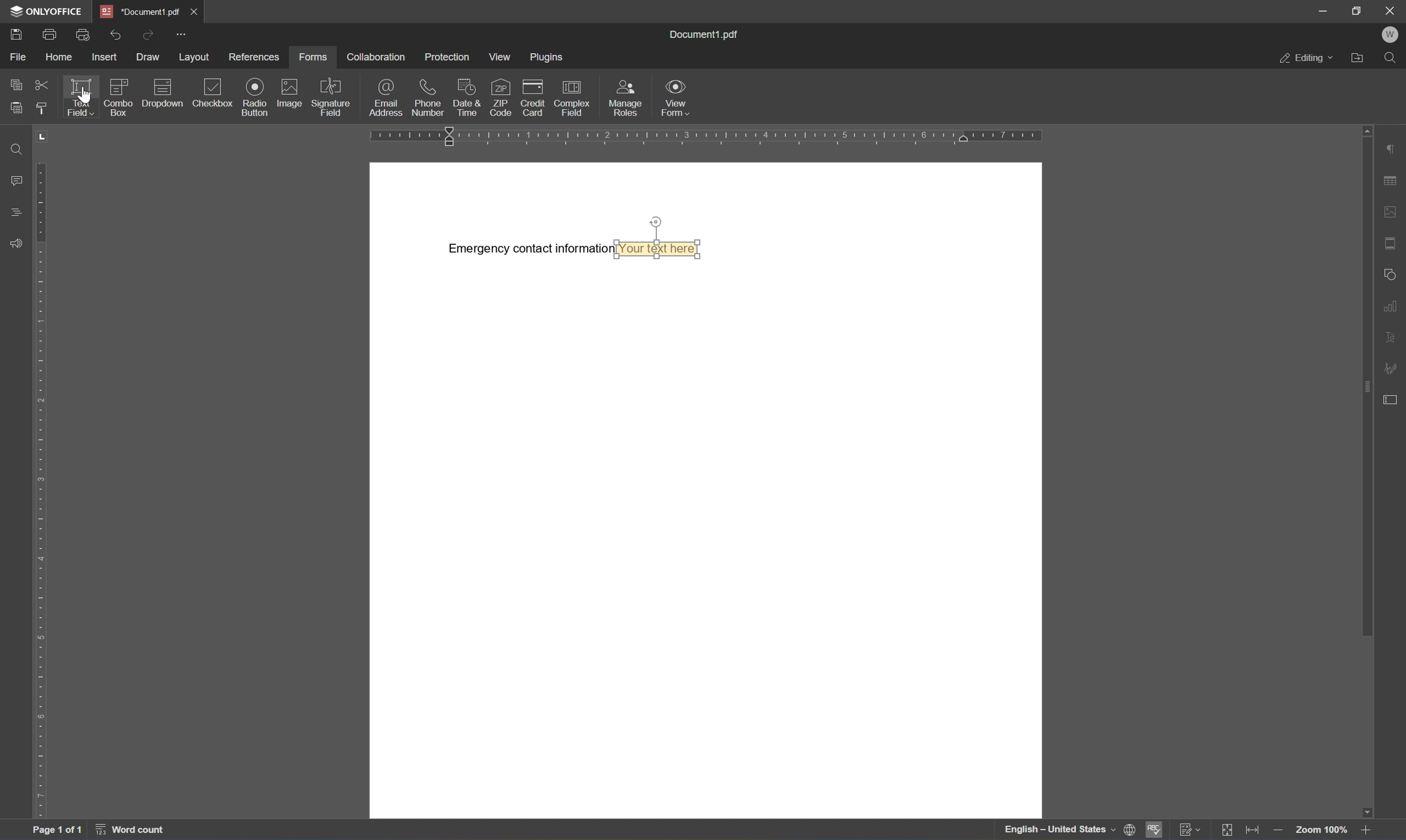  Describe the element at coordinates (193, 58) in the screenshot. I see `layout` at that location.